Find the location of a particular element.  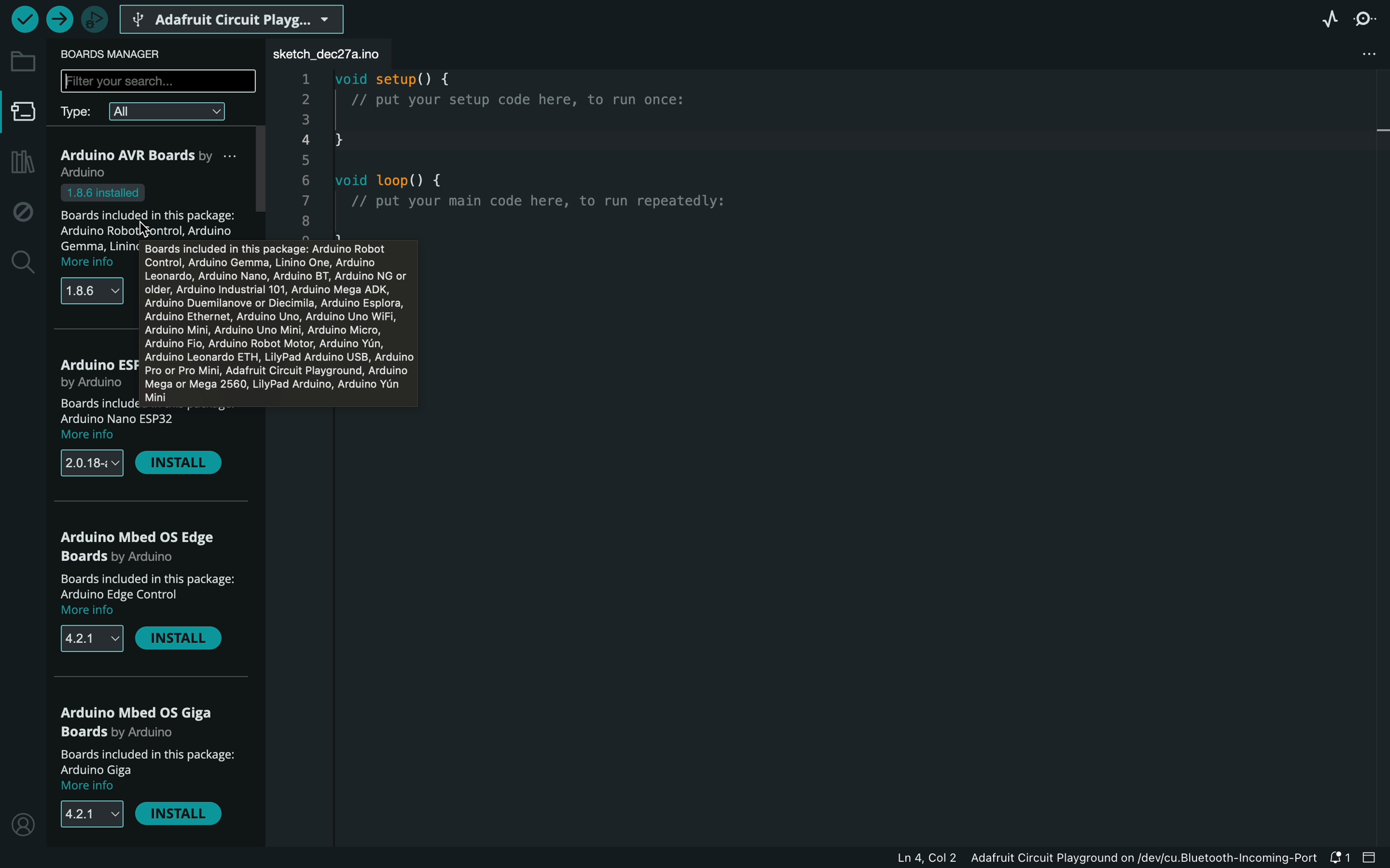

more info is located at coordinates (90, 262).